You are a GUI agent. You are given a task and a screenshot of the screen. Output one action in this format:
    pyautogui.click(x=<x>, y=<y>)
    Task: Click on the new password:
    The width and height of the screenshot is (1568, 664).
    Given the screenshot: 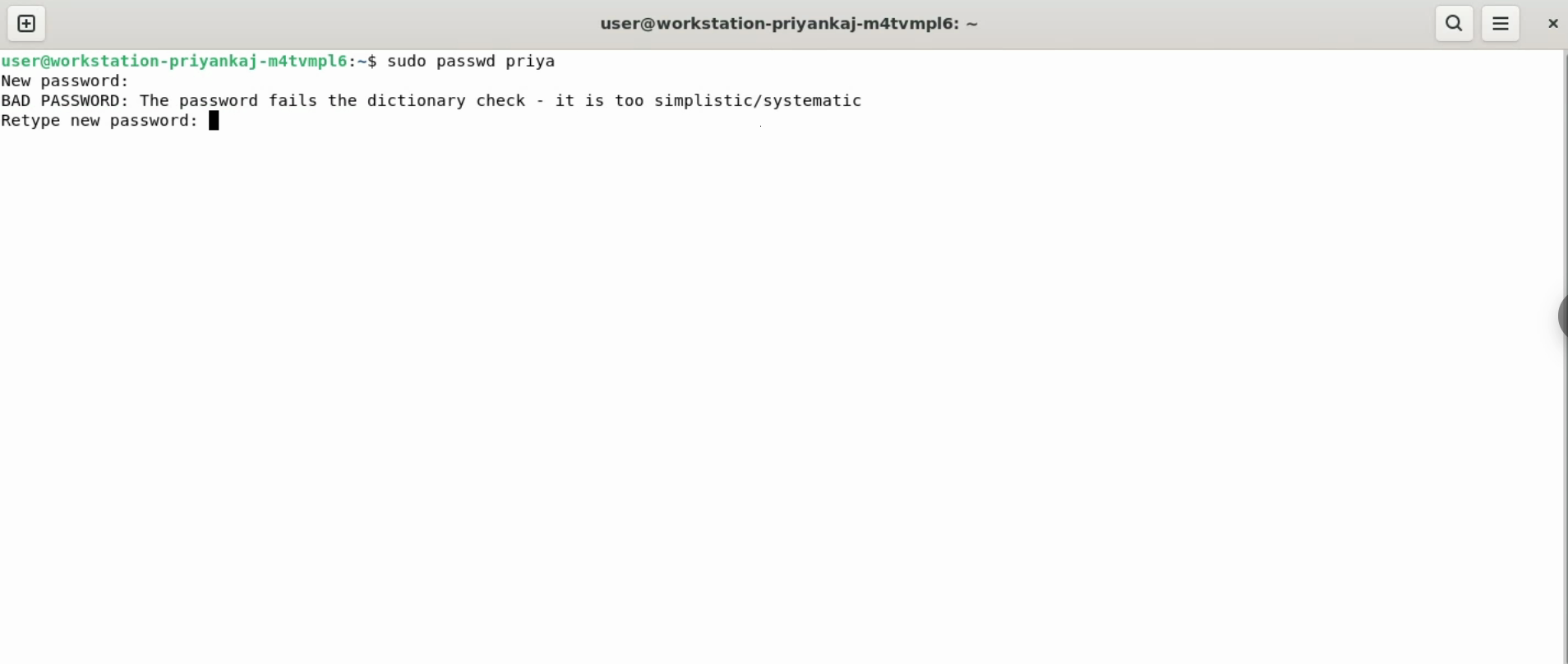 What is the action you would take?
    pyautogui.click(x=65, y=81)
    